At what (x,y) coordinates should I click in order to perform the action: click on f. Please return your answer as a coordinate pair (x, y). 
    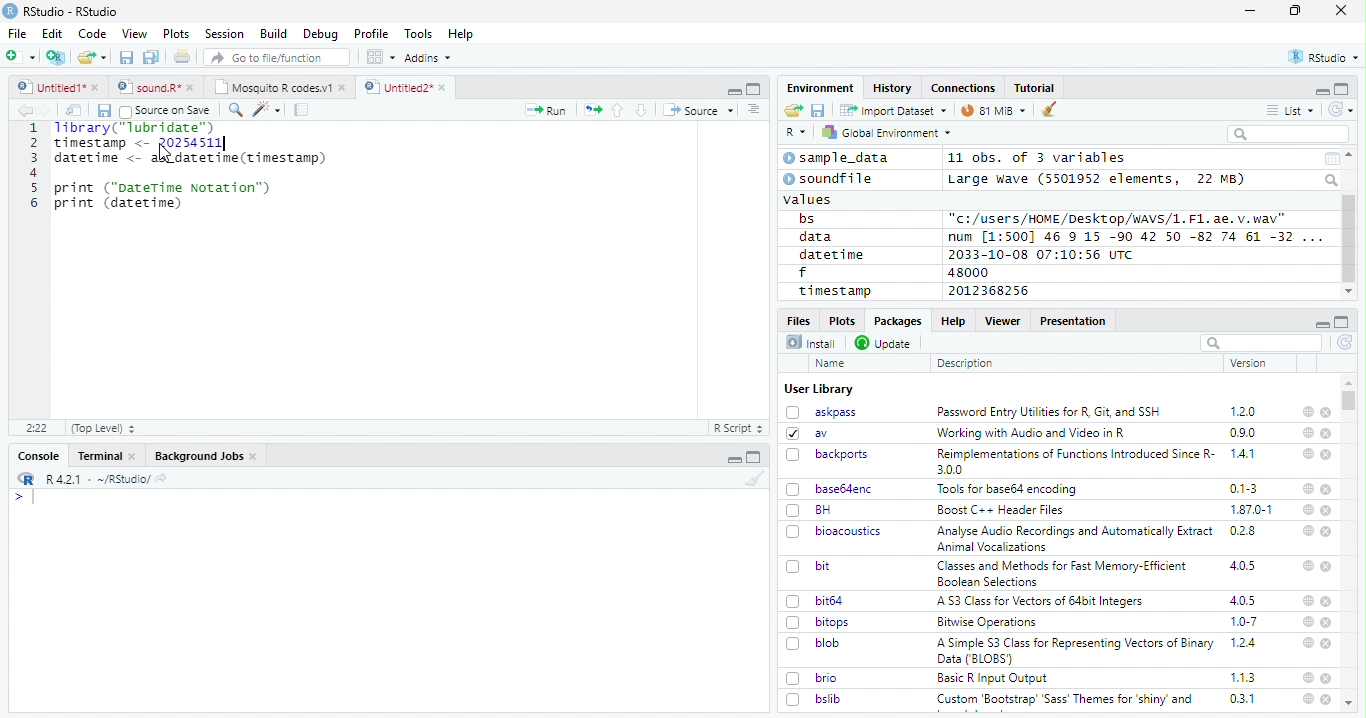
    Looking at the image, I should click on (803, 273).